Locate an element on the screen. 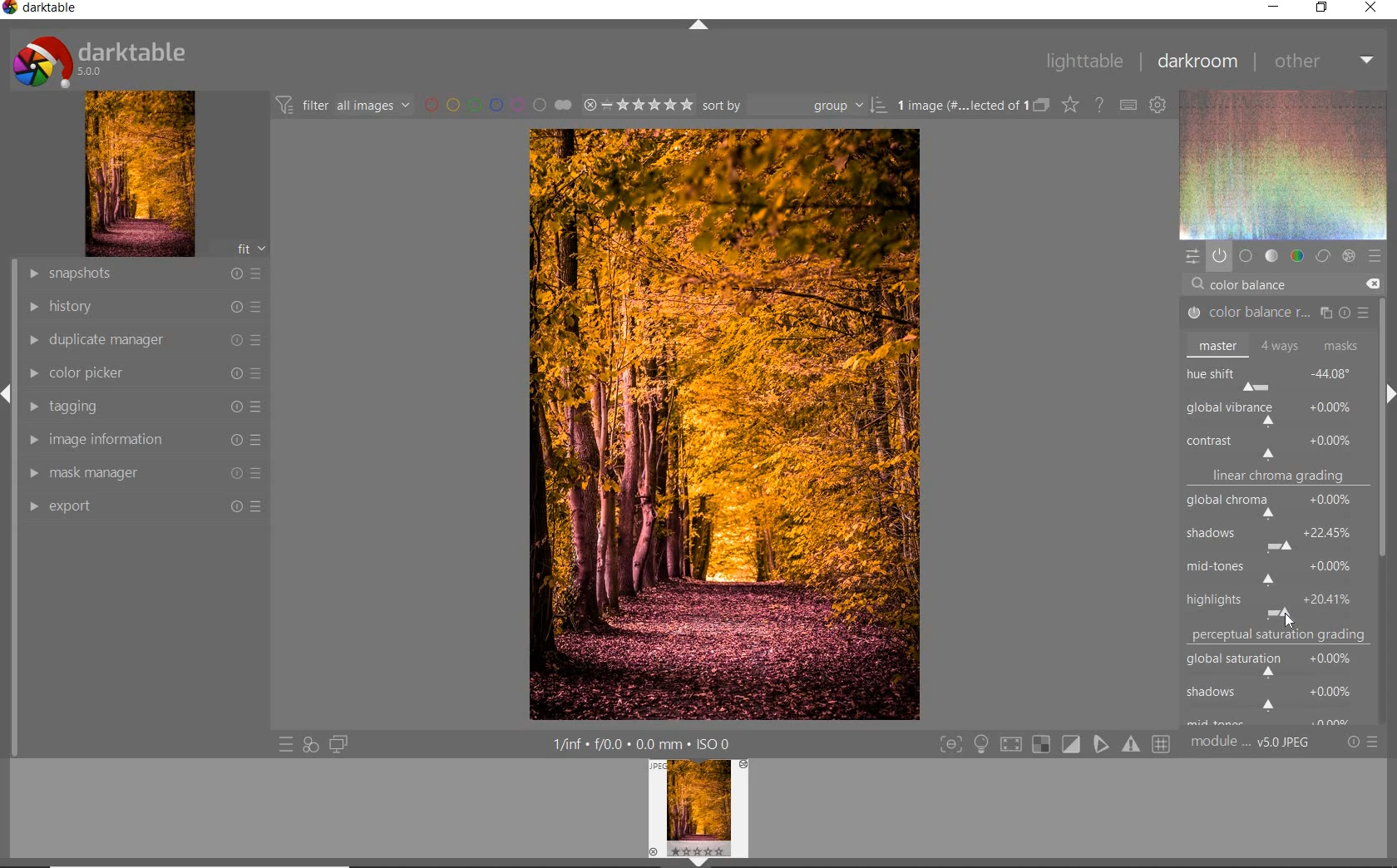  show global preference is located at coordinates (1159, 106).